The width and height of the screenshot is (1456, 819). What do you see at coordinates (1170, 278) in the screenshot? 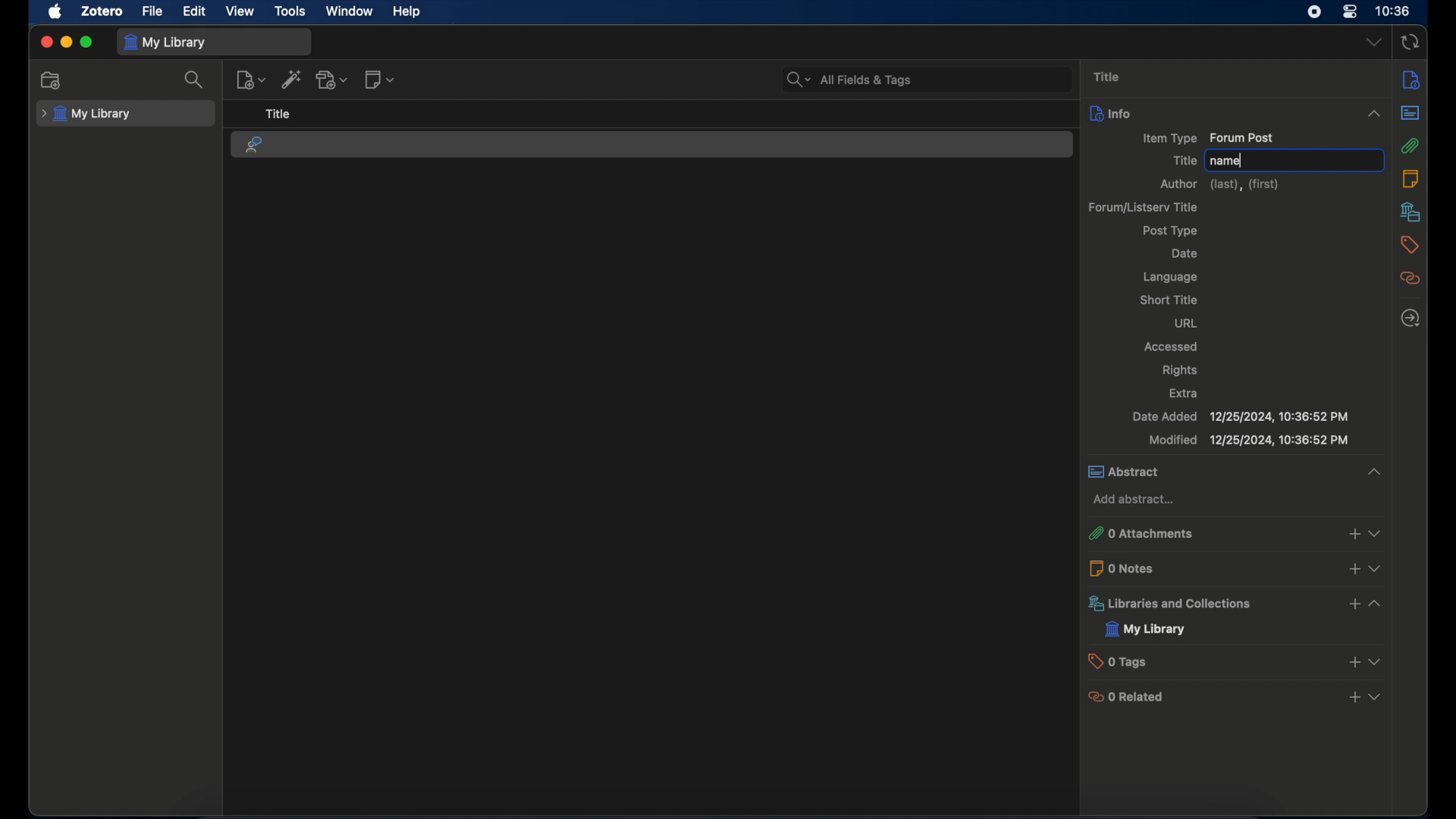
I see `language` at bounding box center [1170, 278].